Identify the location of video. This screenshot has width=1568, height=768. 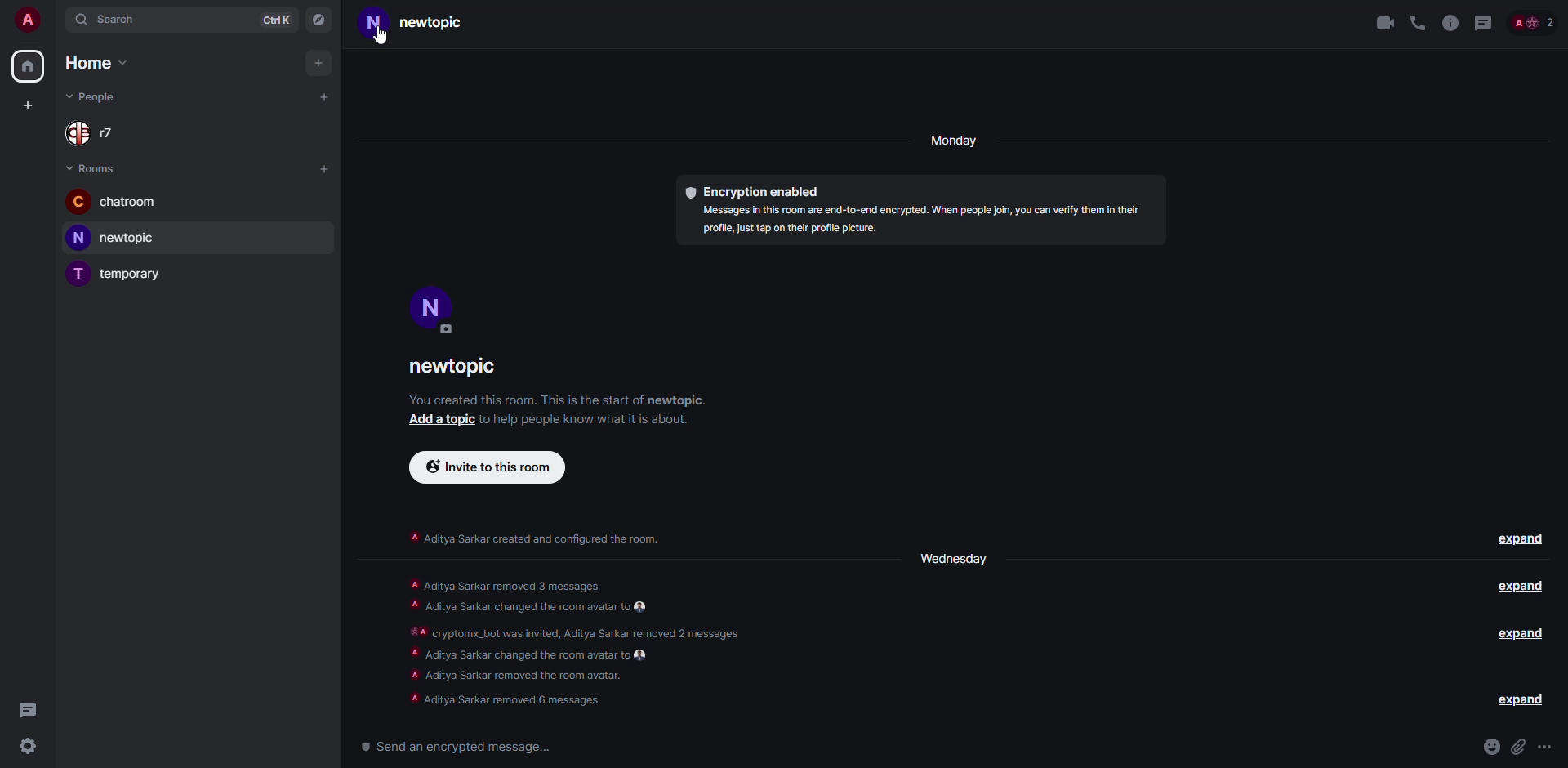
(1387, 23).